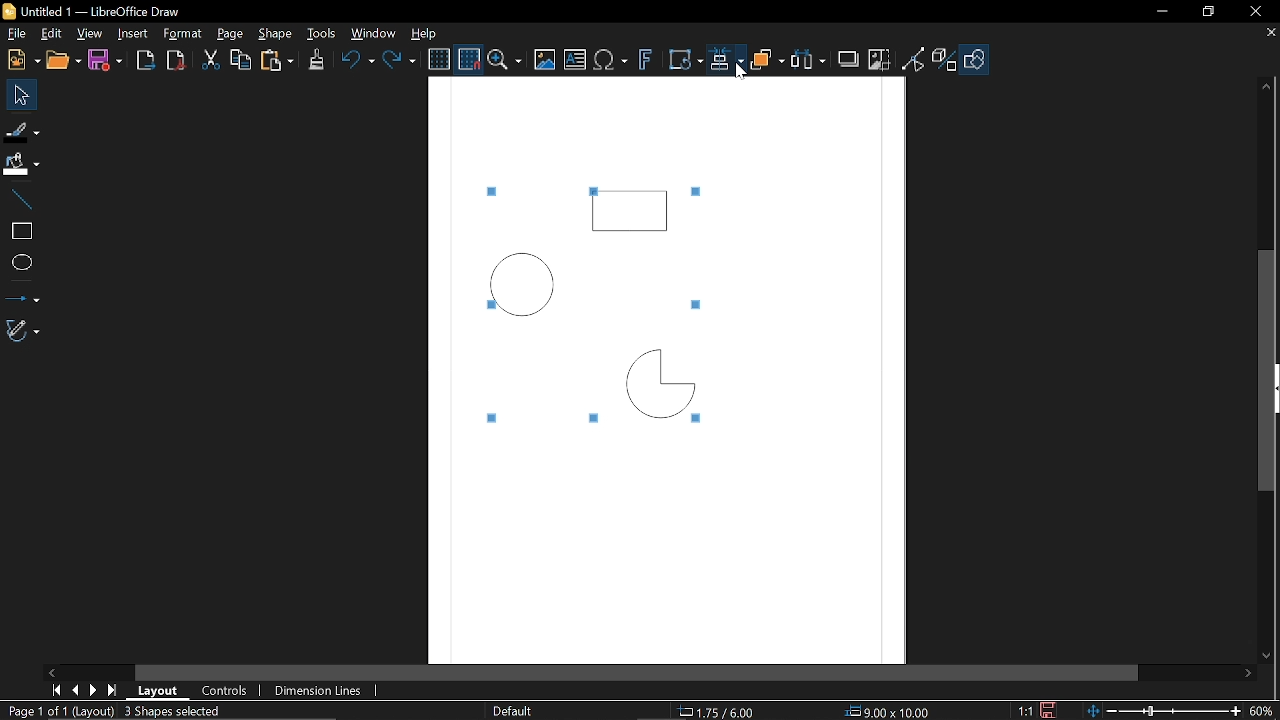 The width and height of the screenshot is (1280, 720). I want to click on Align, so click(726, 60).